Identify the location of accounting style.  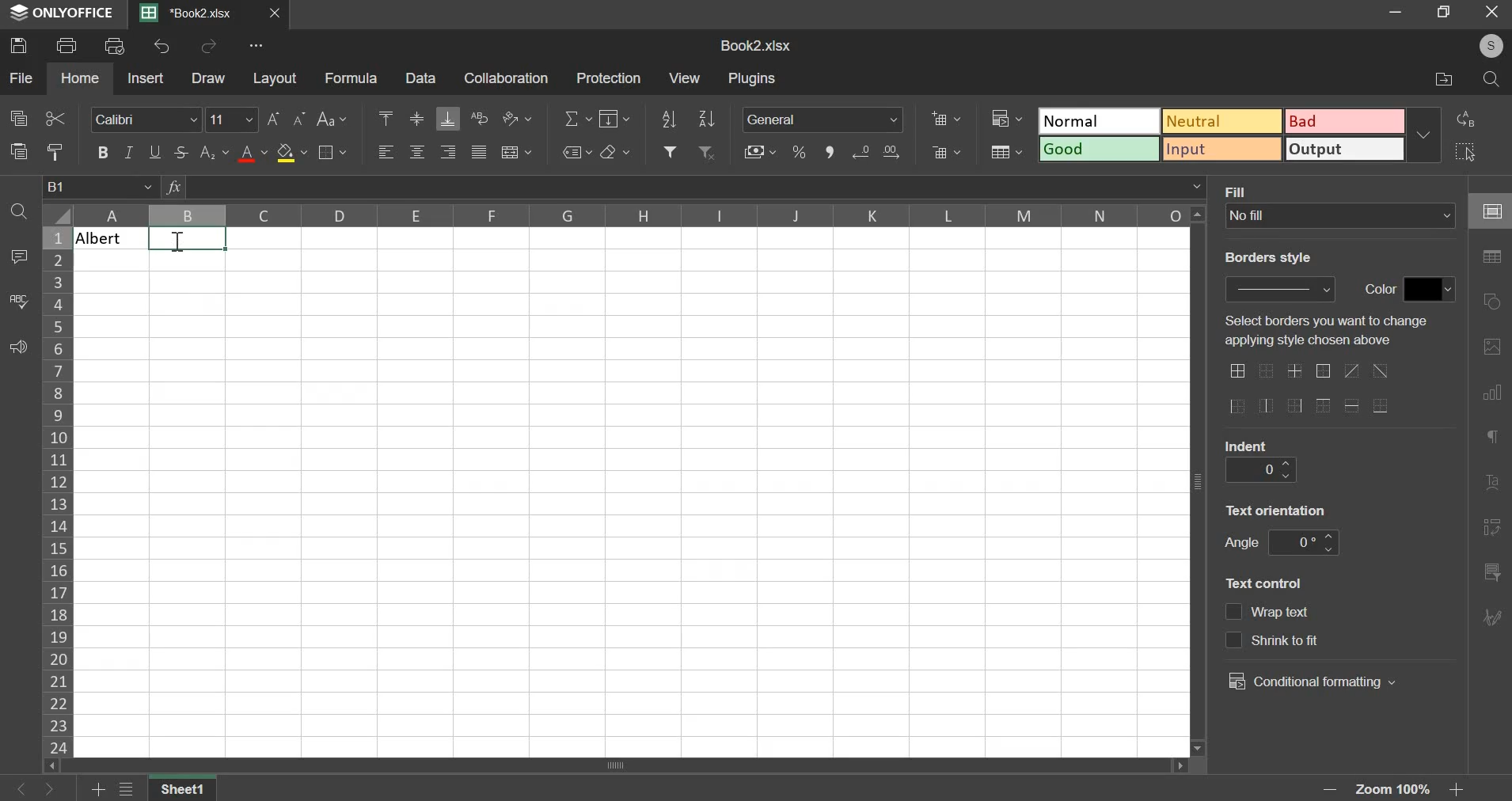
(759, 150).